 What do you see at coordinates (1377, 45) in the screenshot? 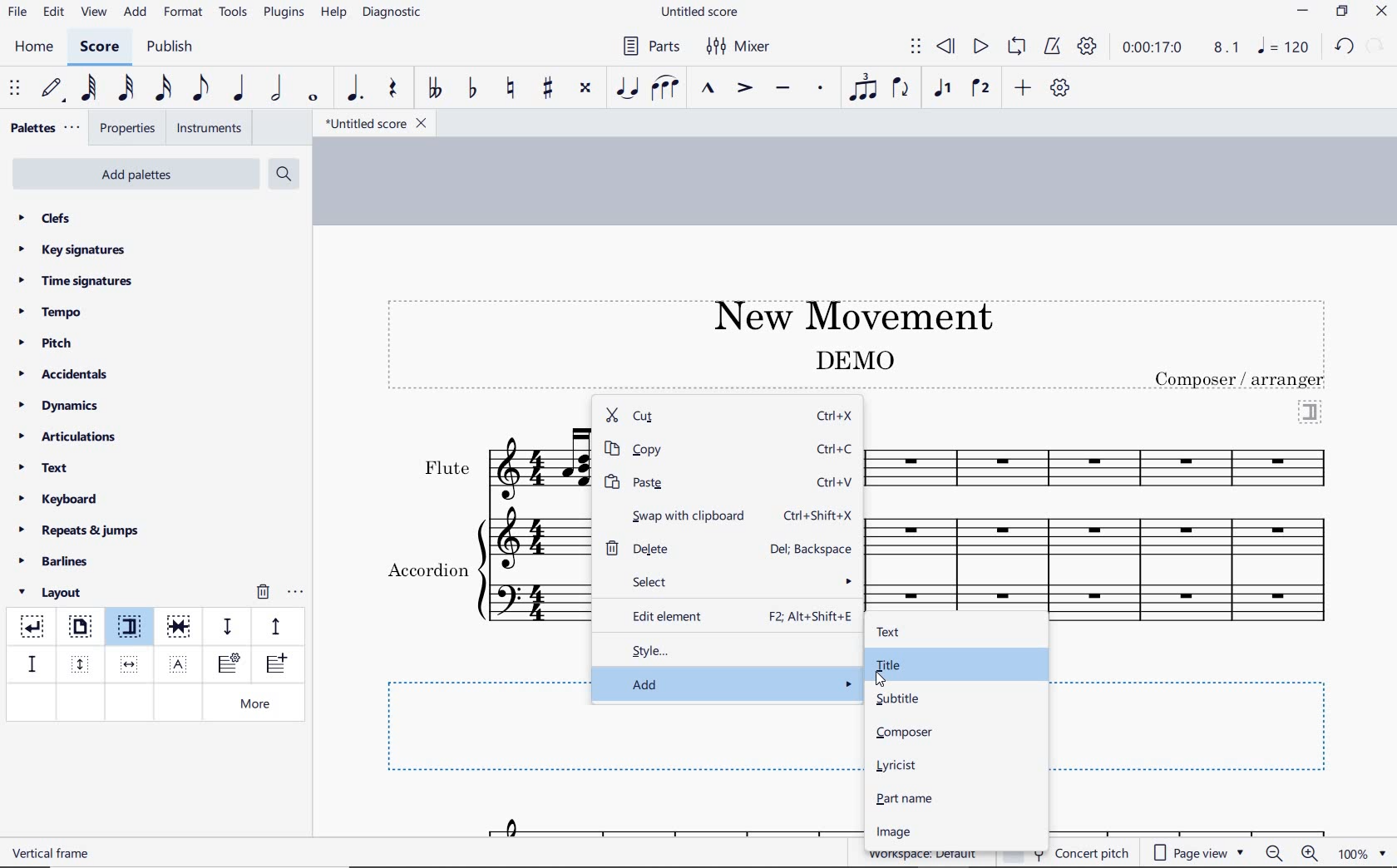
I see `redo` at bounding box center [1377, 45].